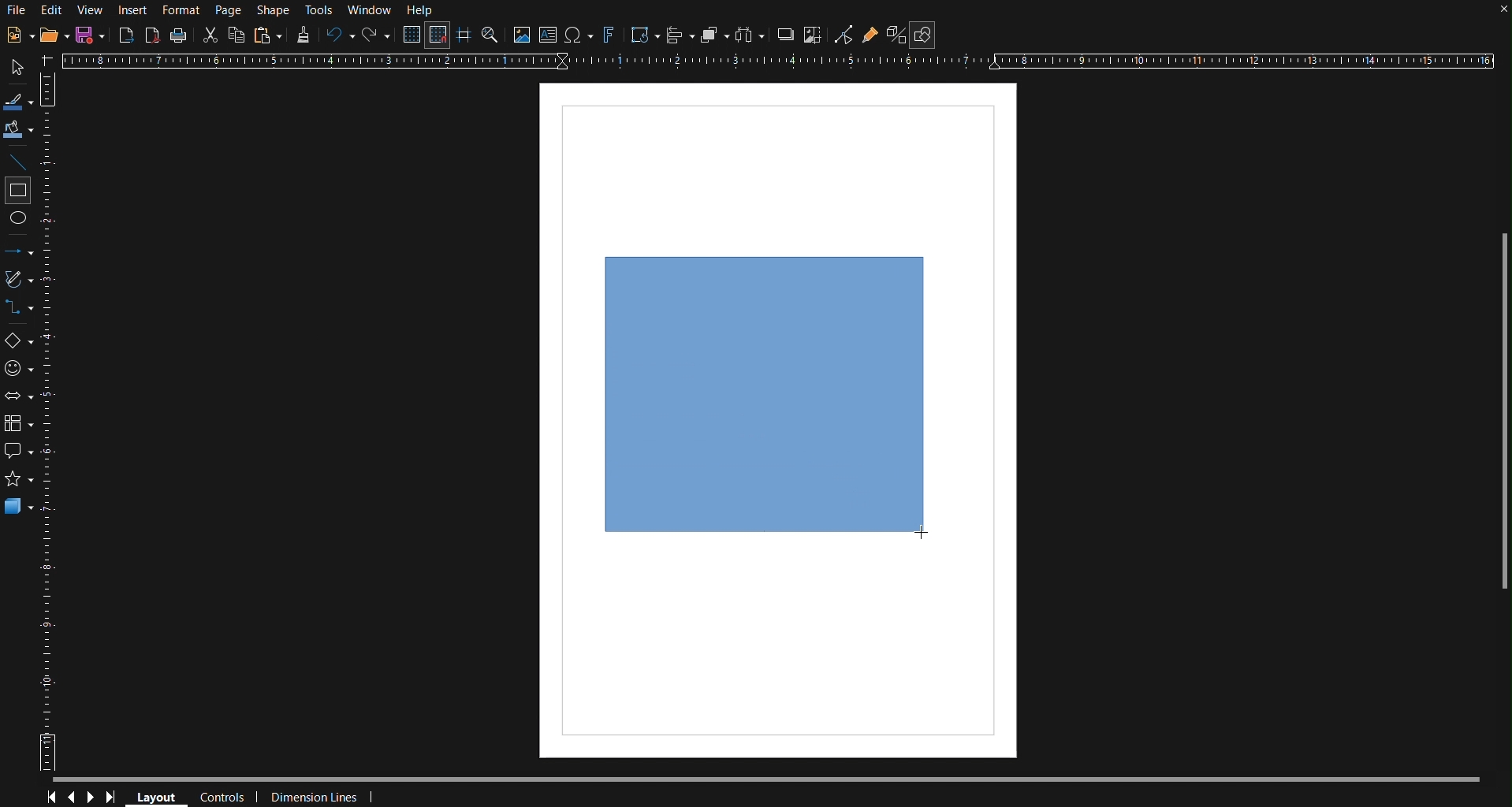 Image resolution: width=1512 pixels, height=807 pixels. What do you see at coordinates (236, 35) in the screenshot?
I see `Copy` at bounding box center [236, 35].